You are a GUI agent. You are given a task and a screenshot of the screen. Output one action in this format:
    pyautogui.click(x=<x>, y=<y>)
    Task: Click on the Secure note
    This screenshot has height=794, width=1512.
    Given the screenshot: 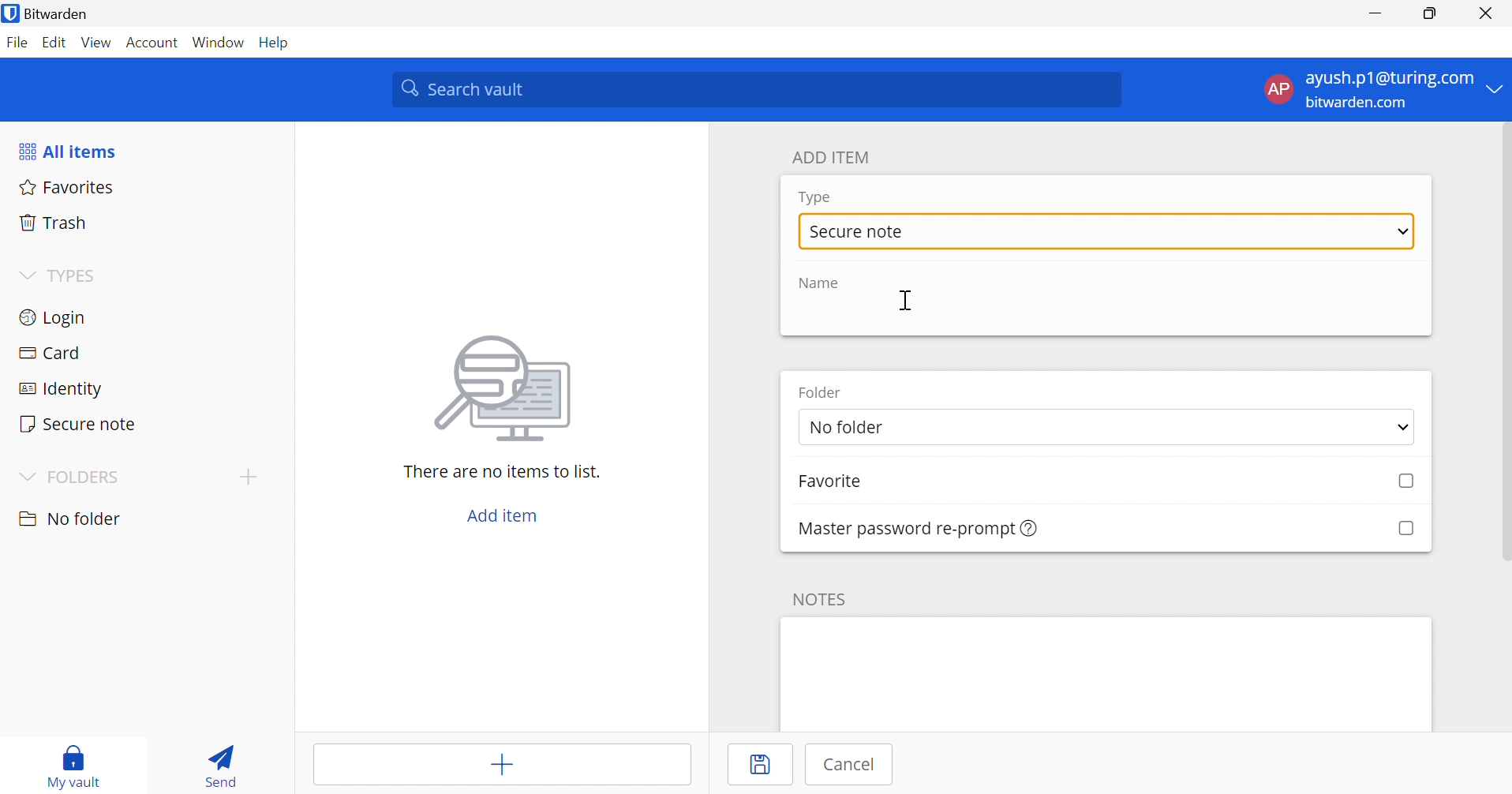 What is the action you would take?
    pyautogui.click(x=860, y=233)
    